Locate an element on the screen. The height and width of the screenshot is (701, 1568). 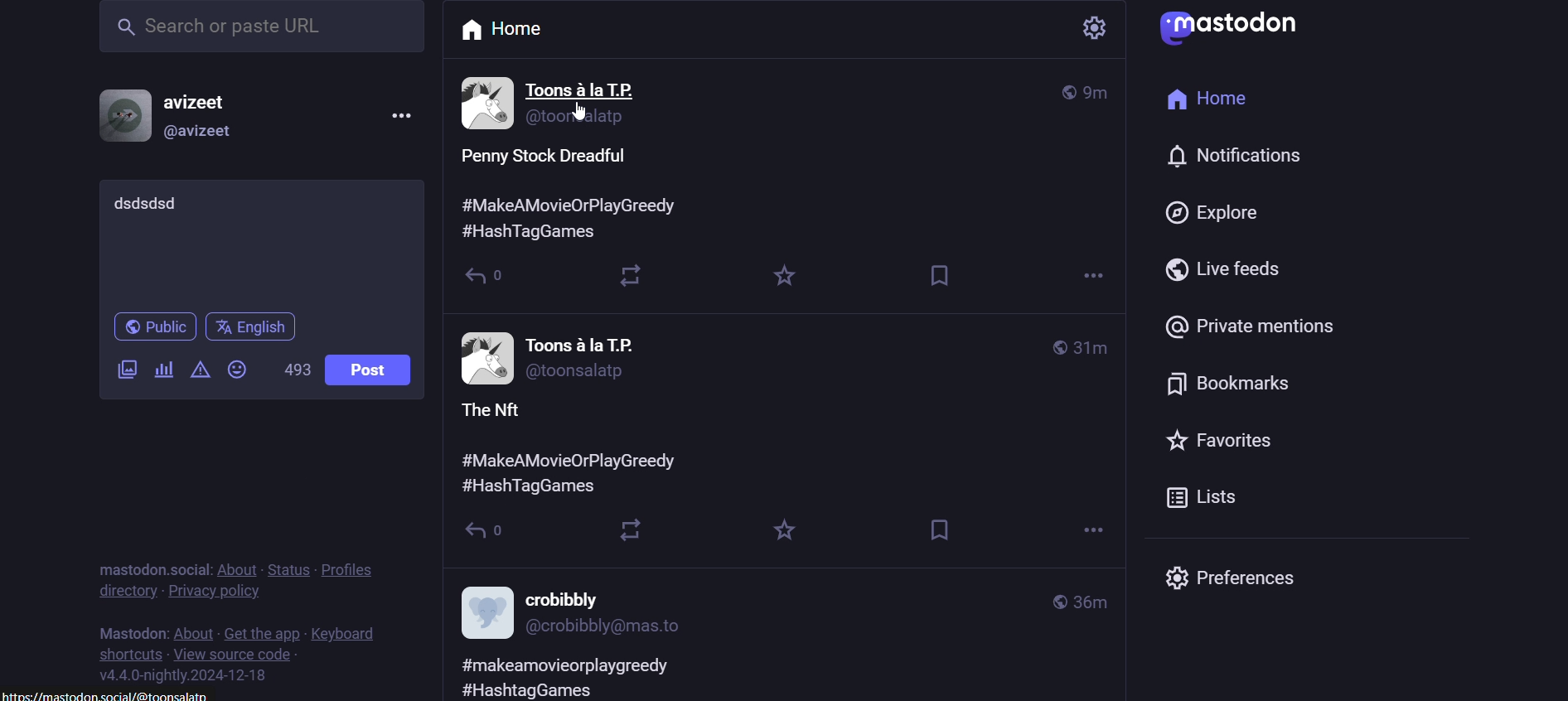
 is located at coordinates (563, 666).